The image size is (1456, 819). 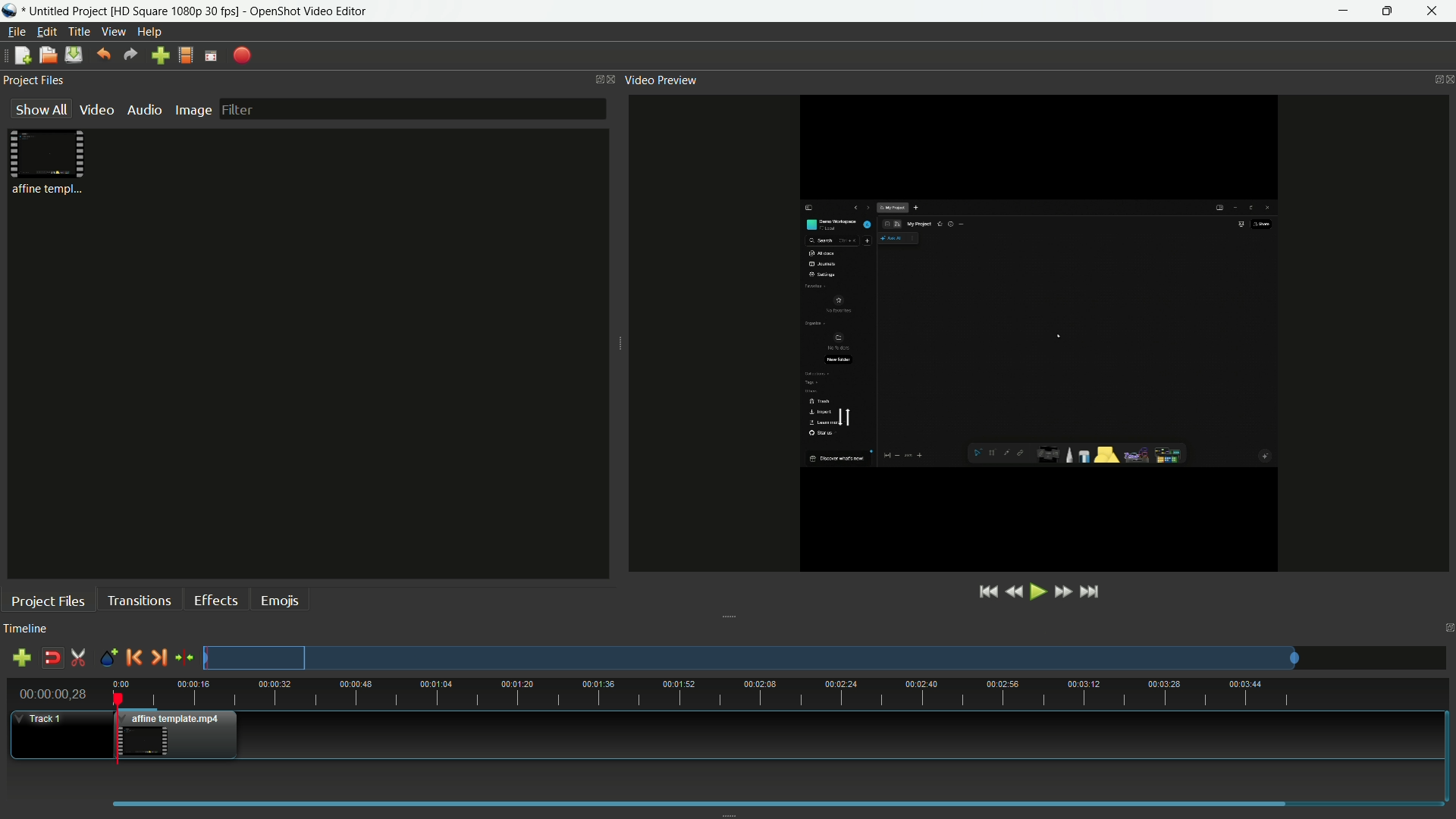 What do you see at coordinates (138, 600) in the screenshot?
I see `transitions` at bounding box center [138, 600].